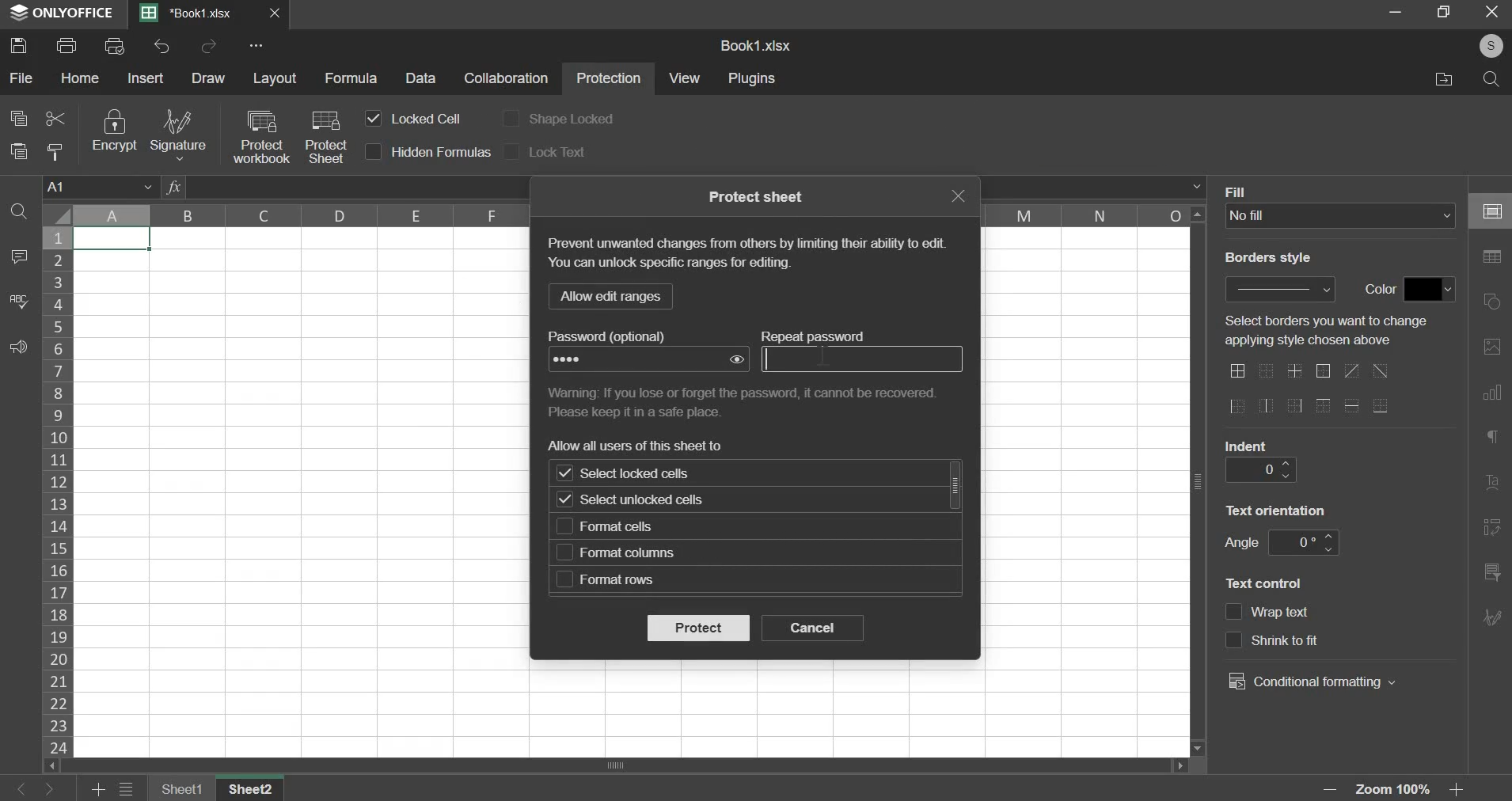 The image size is (1512, 801). I want to click on File, so click(1440, 79).